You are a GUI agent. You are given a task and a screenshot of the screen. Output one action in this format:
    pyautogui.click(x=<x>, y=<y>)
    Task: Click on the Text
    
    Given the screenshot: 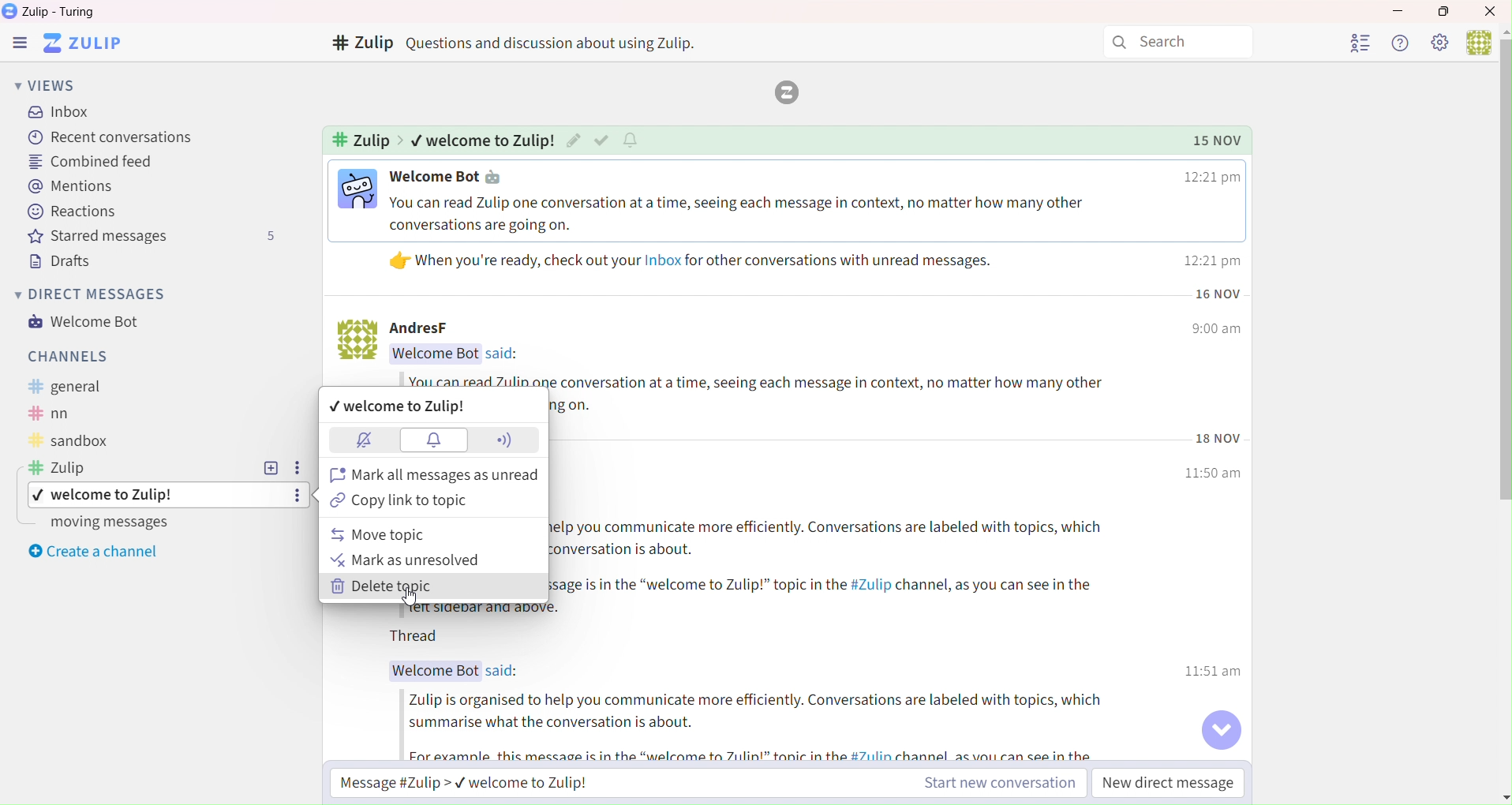 What is the action you would take?
    pyautogui.click(x=77, y=386)
    